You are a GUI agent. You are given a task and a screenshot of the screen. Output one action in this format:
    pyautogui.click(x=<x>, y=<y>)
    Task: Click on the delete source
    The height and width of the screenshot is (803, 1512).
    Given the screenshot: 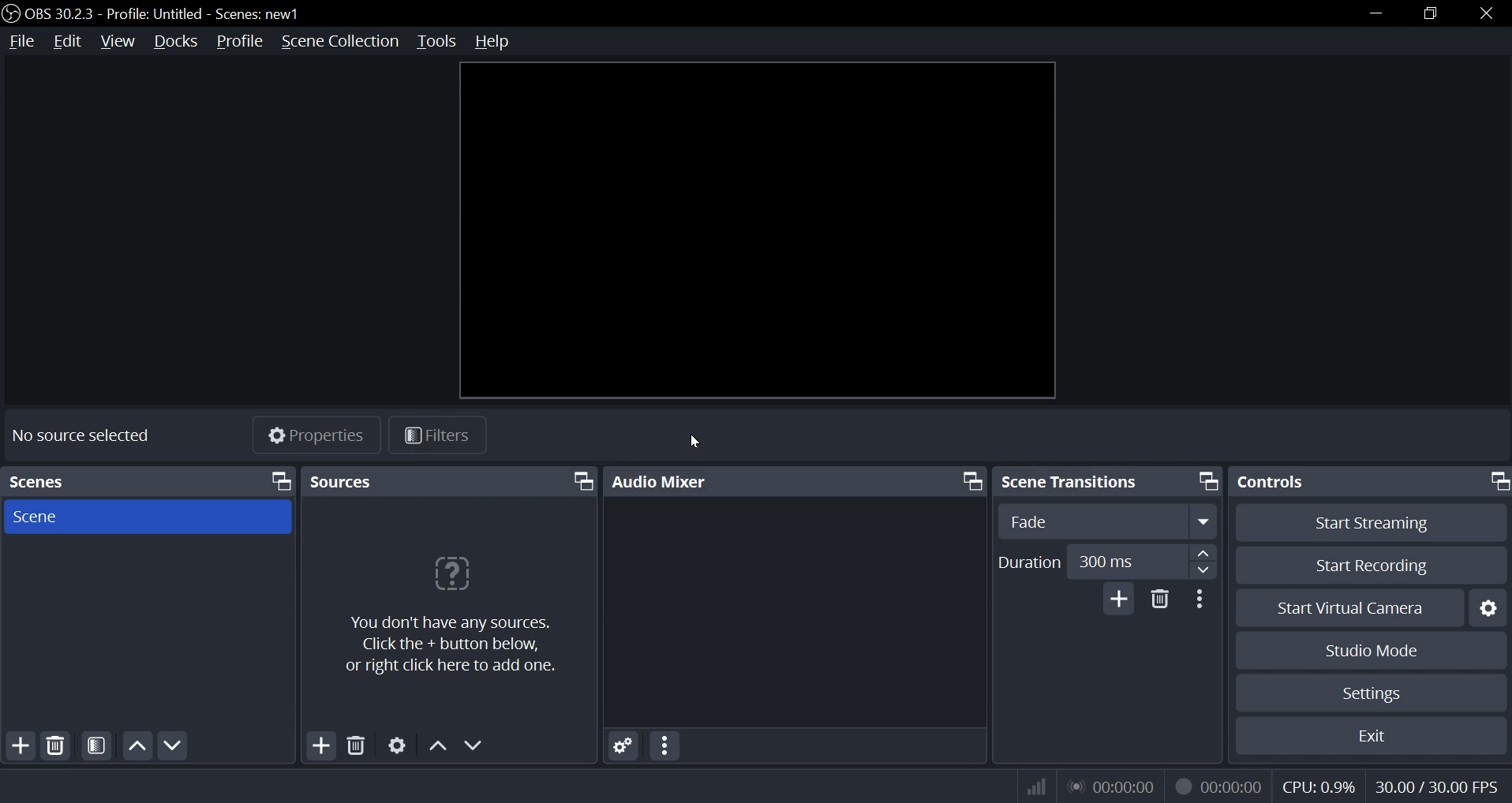 What is the action you would take?
    pyautogui.click(x=56, y=744)
    